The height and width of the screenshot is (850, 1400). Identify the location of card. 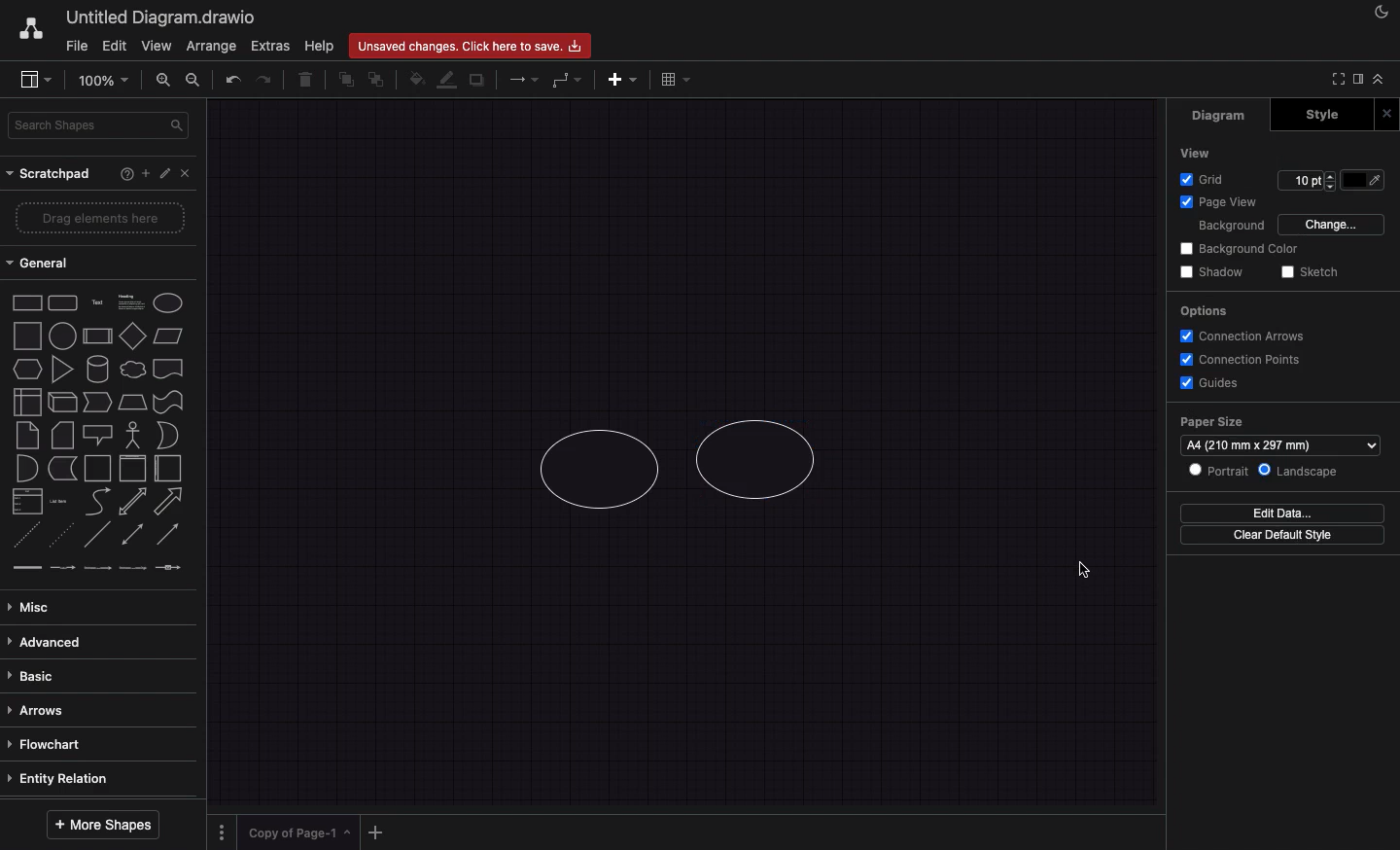
(62, 436).